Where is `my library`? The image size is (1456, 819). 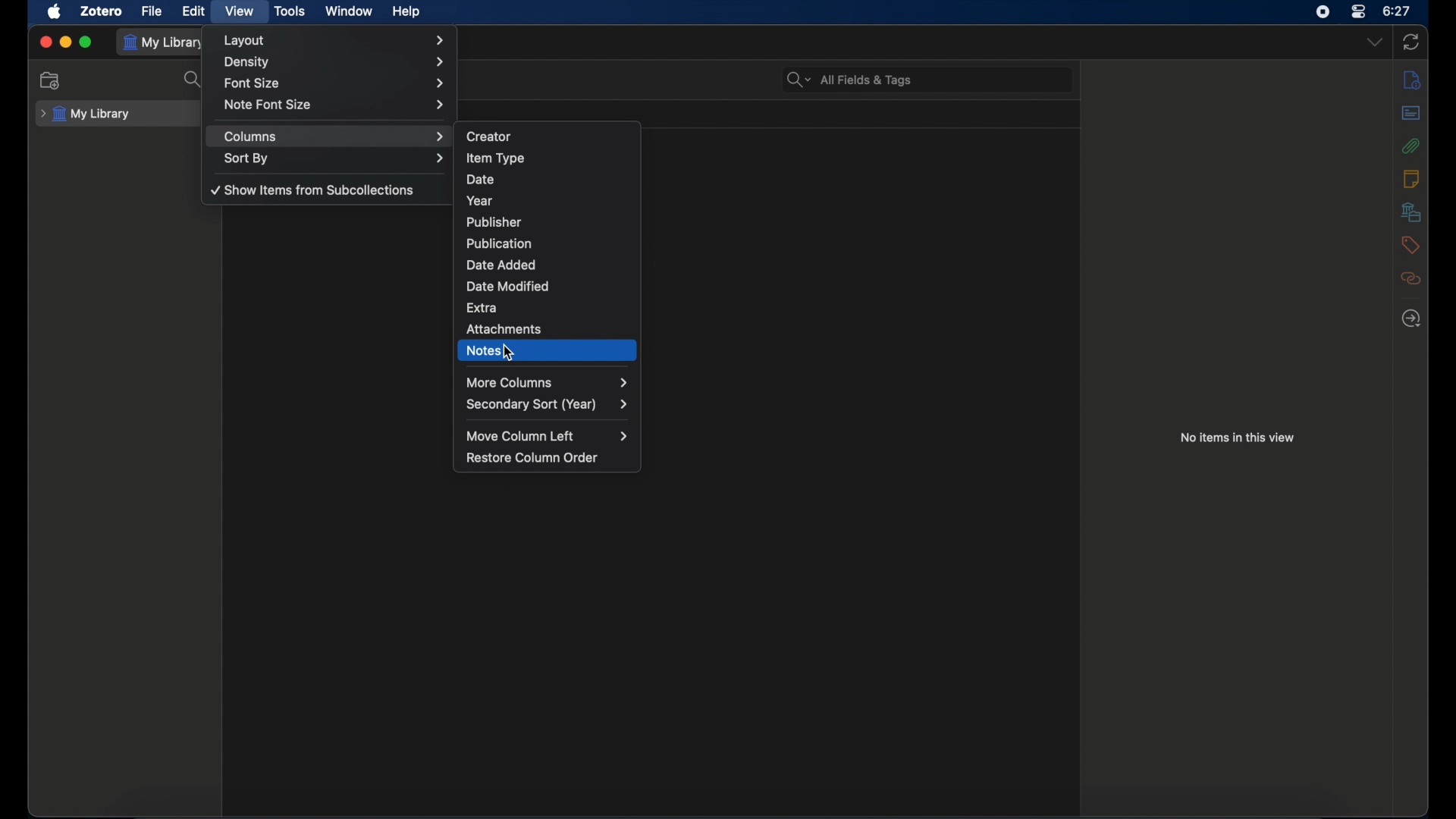 my library is located at coordinates (165, 42).